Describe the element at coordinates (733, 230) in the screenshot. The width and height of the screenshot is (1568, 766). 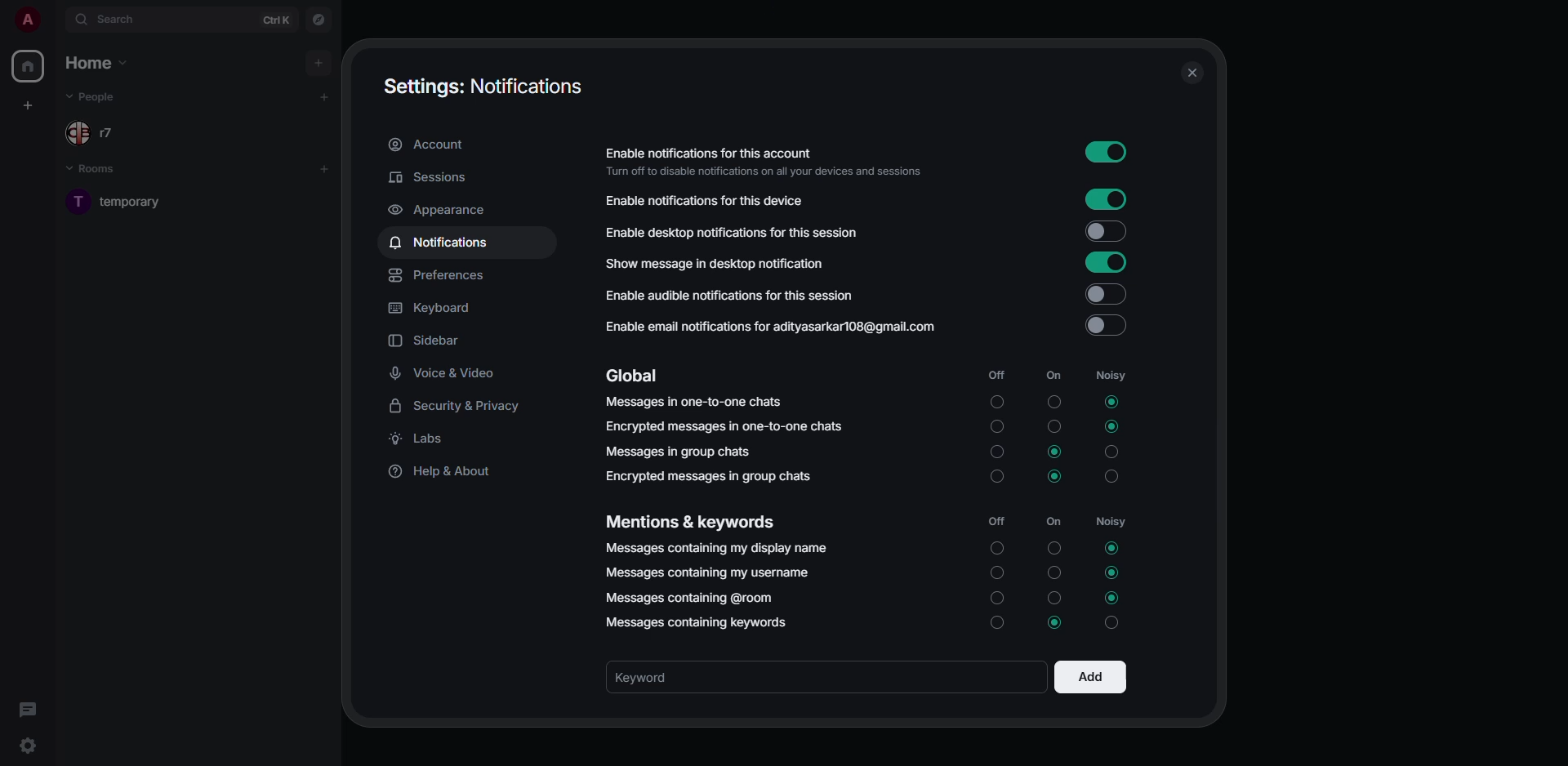
I see `enable desktop notifications for this session` at that location.